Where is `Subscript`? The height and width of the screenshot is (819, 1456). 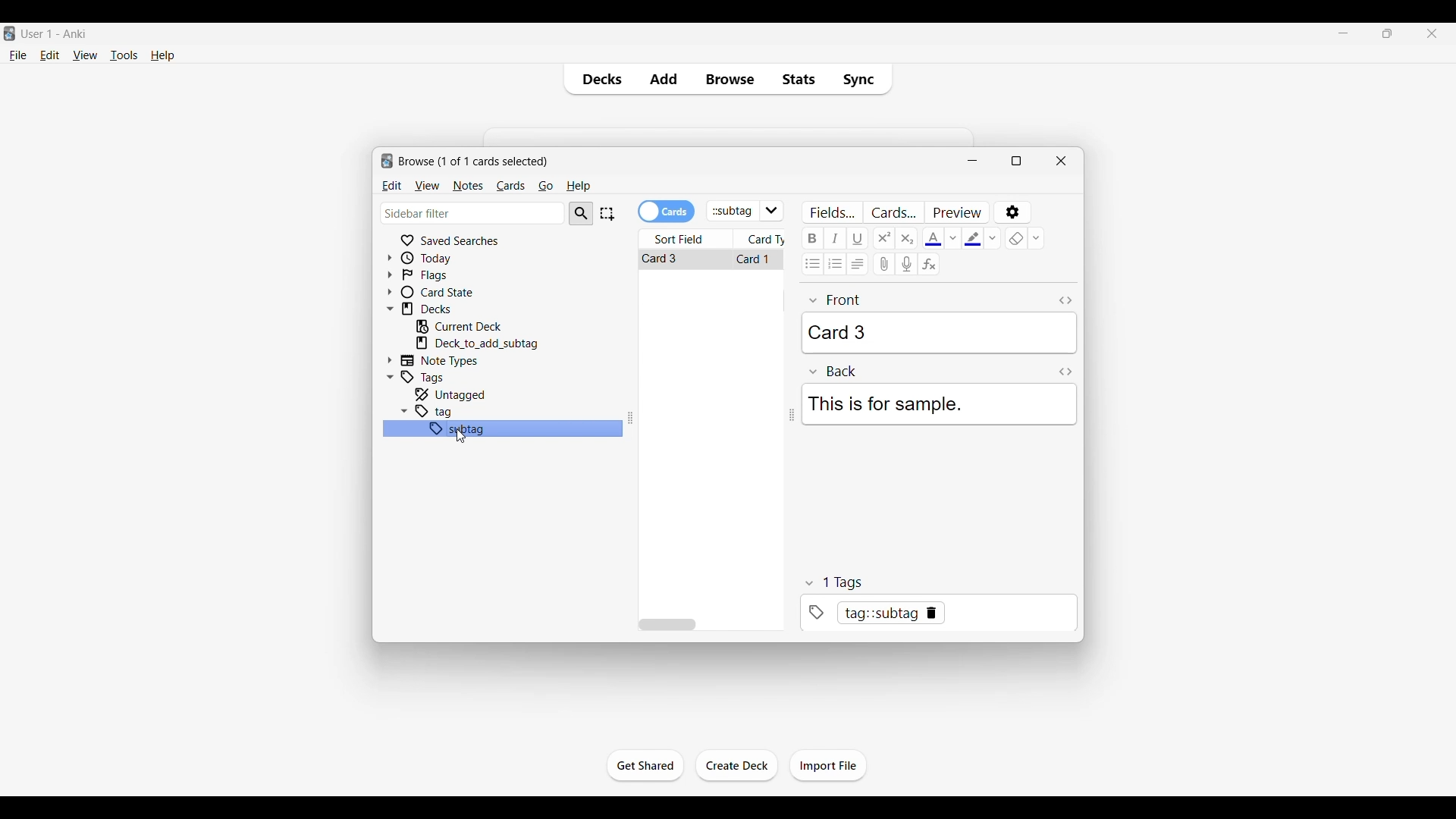
Subscript is located at coordinates (906, 238).